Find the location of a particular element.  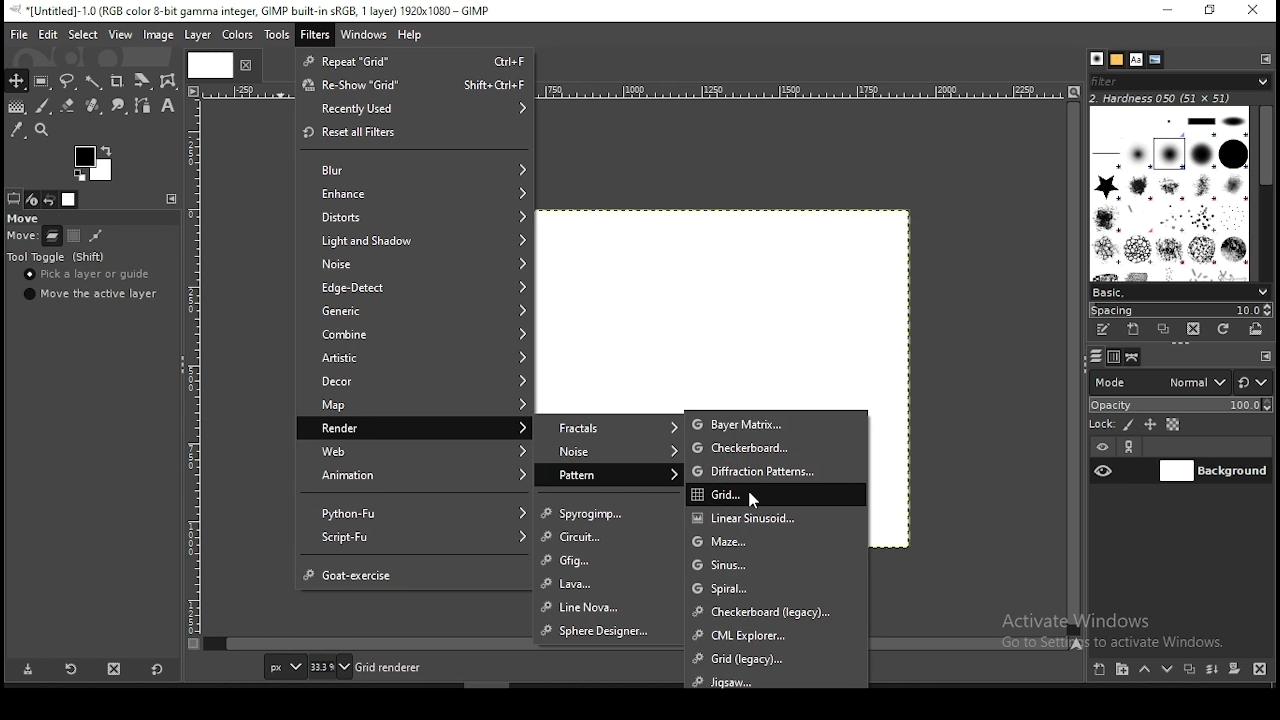

move layer is located at coordinates (52, 237).